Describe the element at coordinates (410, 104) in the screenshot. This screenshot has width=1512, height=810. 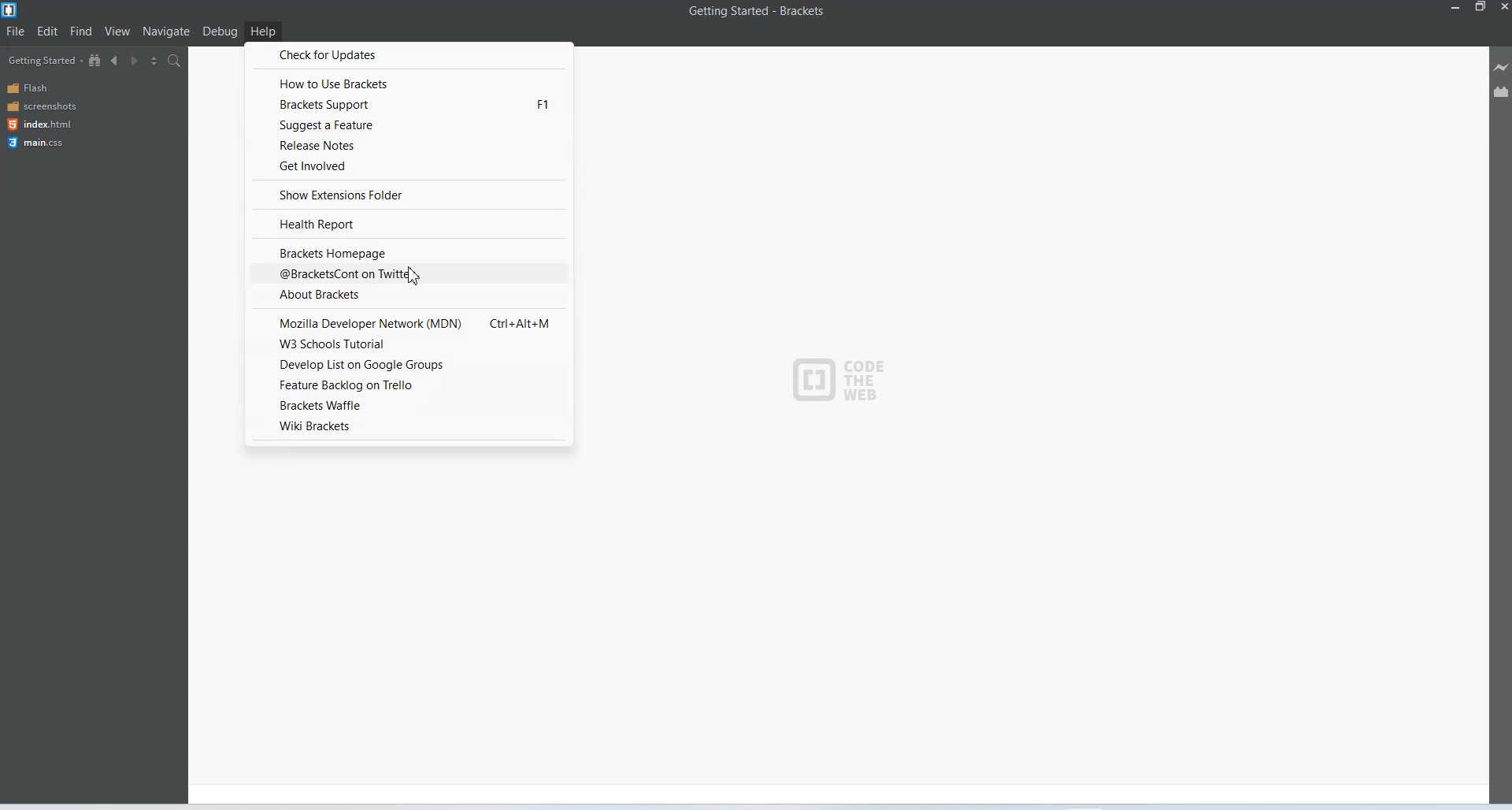
I see `Bracket support` at that location.